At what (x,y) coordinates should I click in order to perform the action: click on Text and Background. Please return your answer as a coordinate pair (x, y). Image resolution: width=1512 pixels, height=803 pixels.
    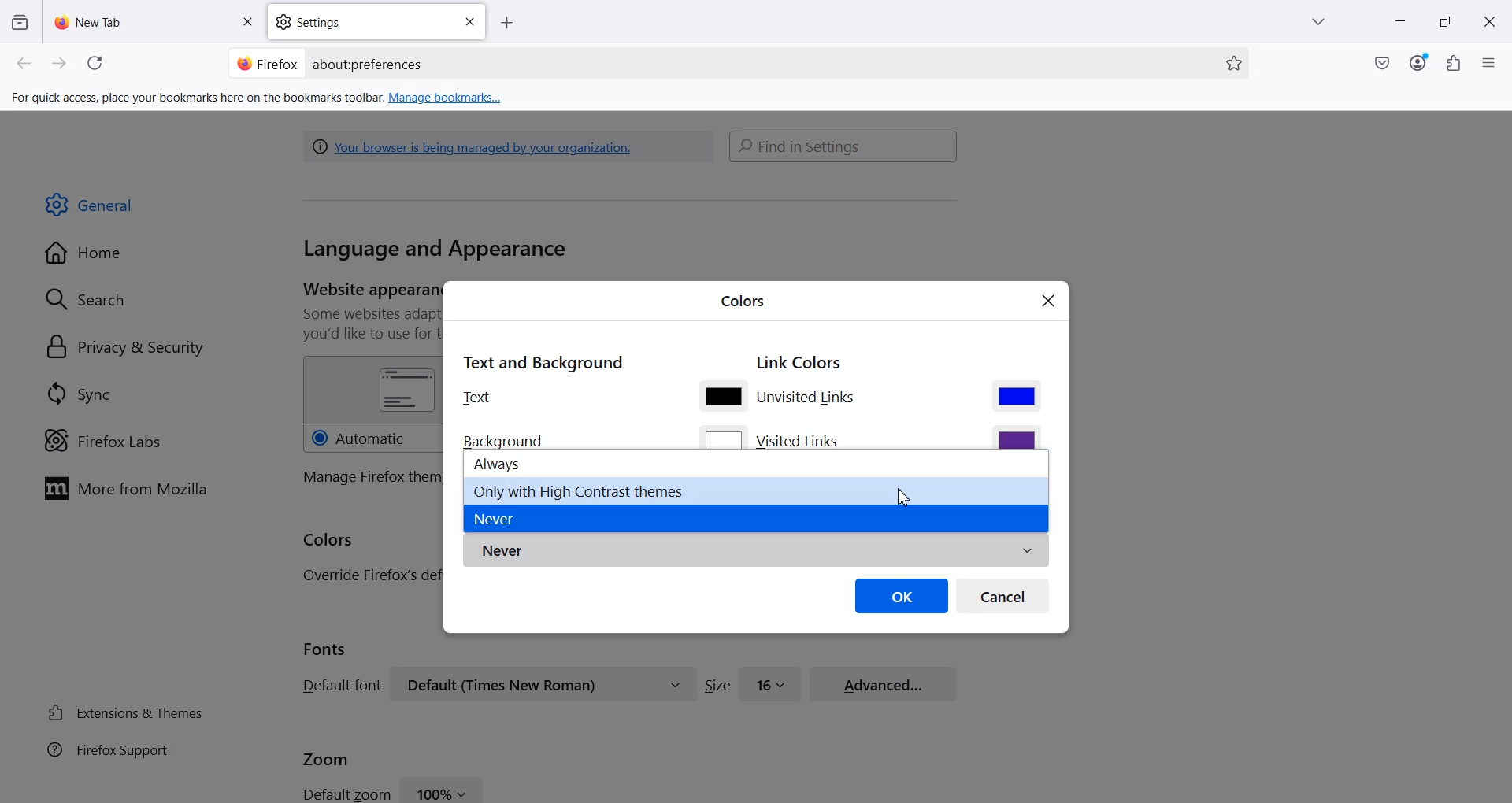
    Looking at the image, I should click on (542, 361).